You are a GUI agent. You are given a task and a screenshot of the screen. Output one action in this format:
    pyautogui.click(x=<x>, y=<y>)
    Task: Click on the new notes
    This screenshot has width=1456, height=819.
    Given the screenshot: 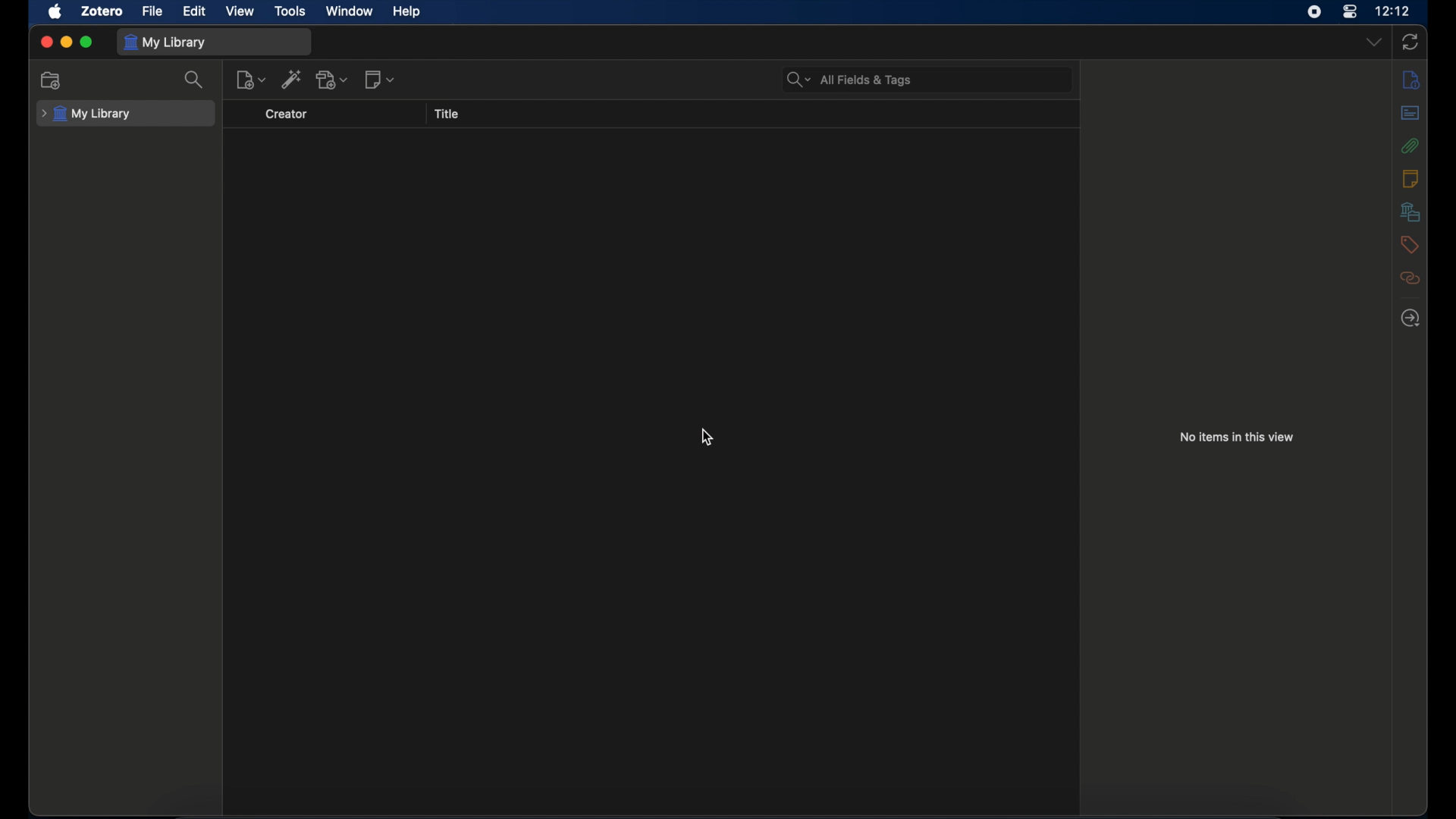 What is the action you would take?
    pyautogui.click(x=381, y=80)
    